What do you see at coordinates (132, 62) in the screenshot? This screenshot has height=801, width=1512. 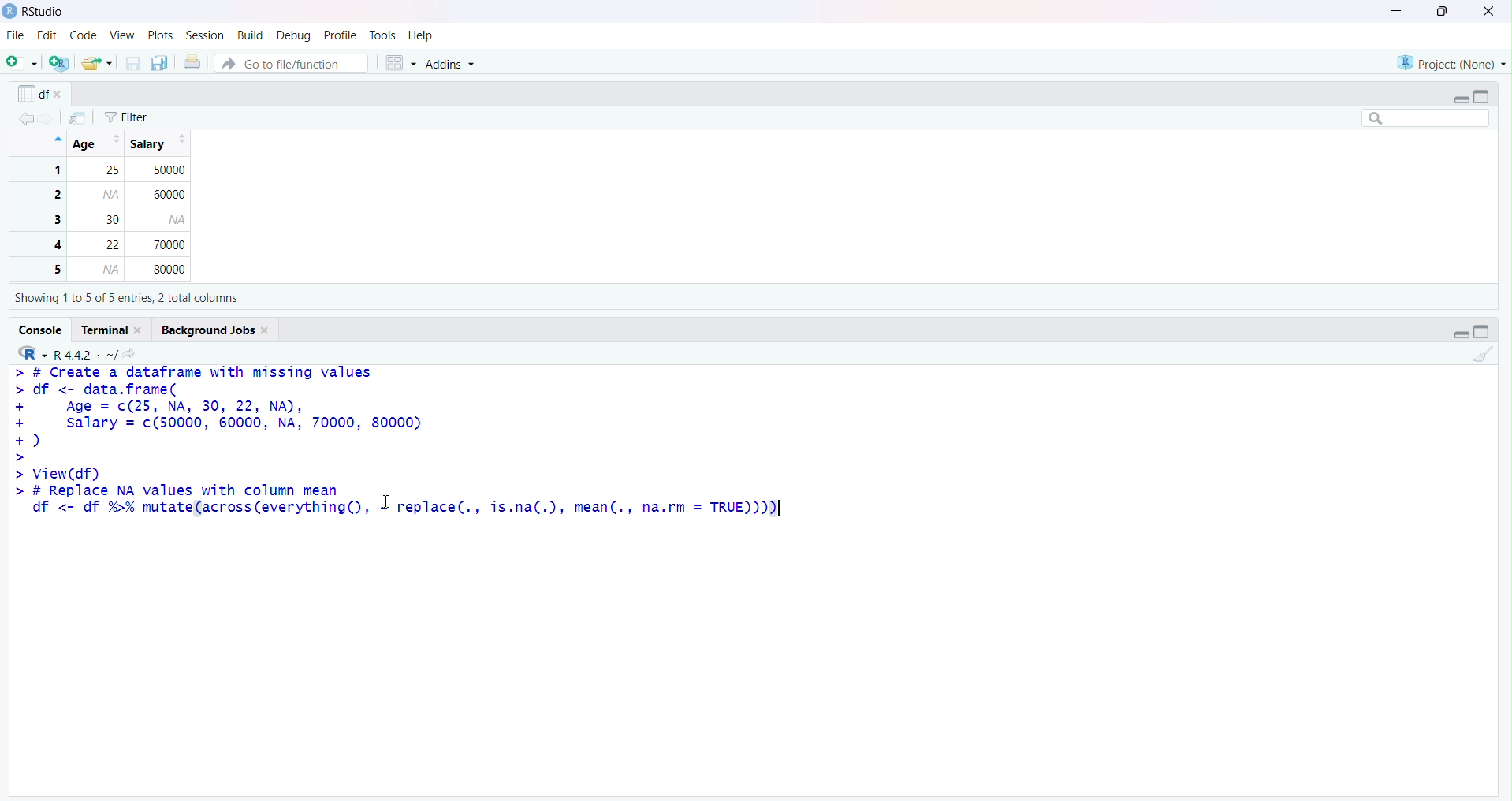 I see `Save current document (Ctrl + S)` at bounding box center [132, 62].